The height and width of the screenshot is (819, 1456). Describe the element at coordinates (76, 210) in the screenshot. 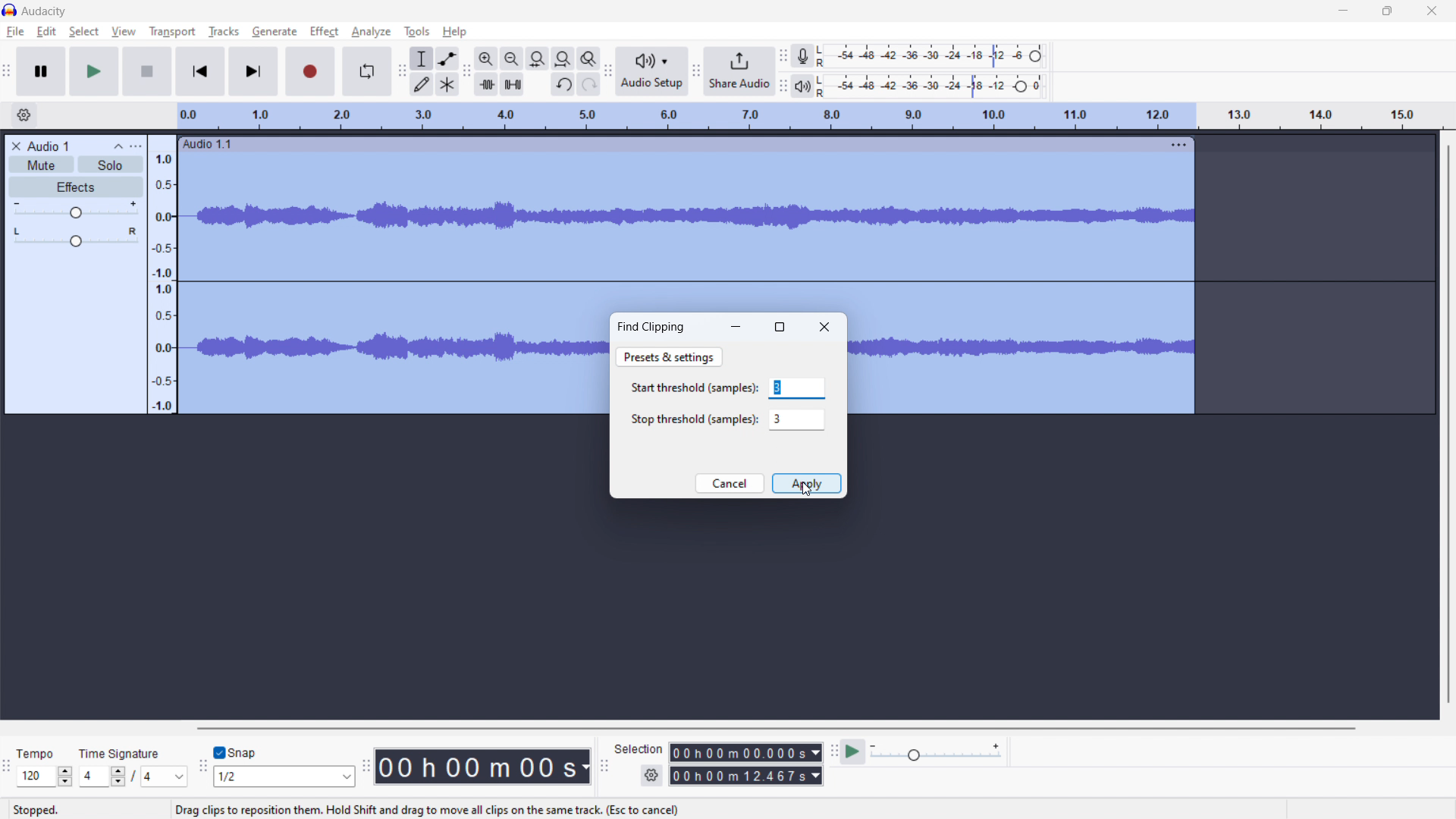

I see `gain` at that location.